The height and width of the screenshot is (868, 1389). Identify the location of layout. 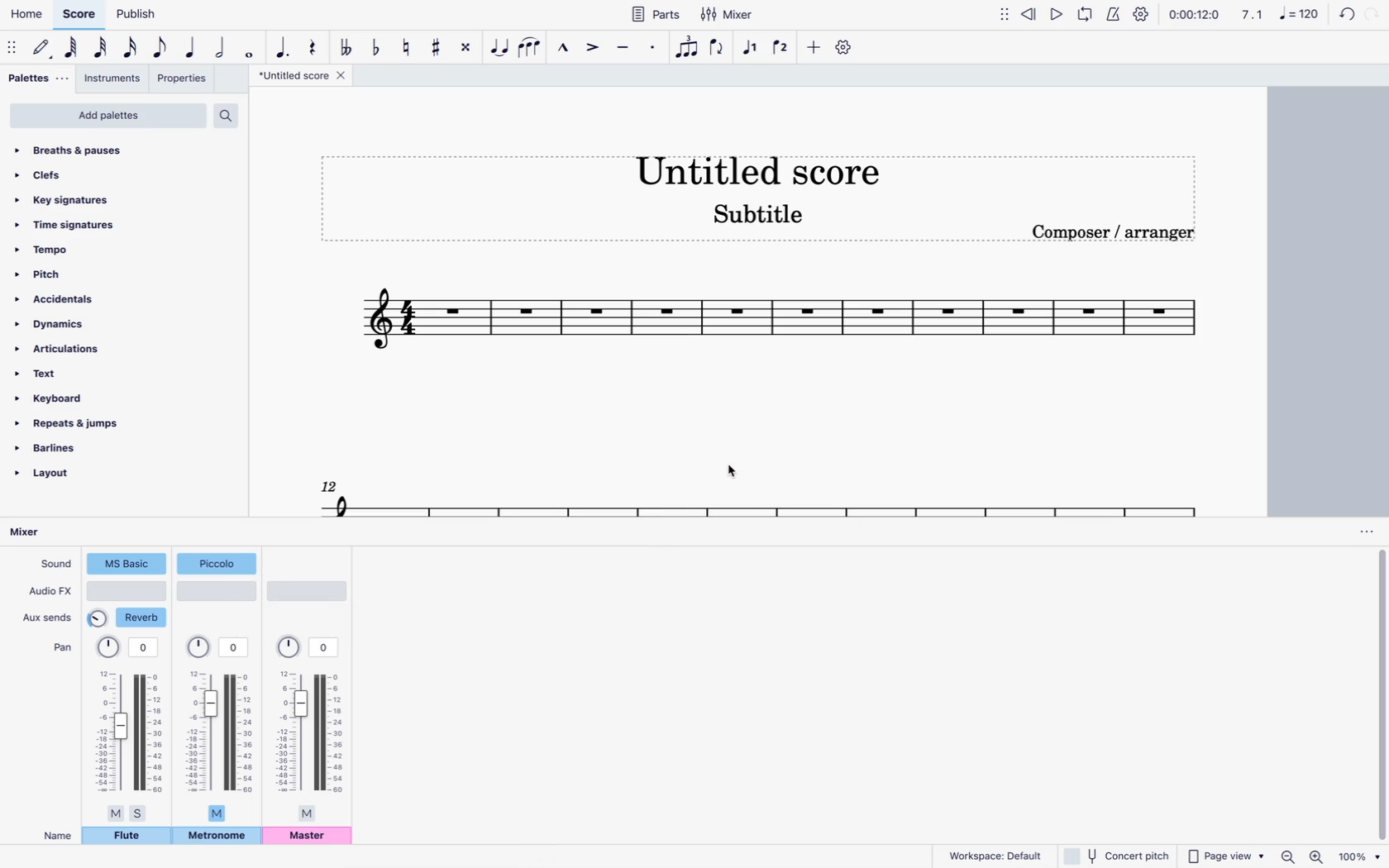
(71, 477).